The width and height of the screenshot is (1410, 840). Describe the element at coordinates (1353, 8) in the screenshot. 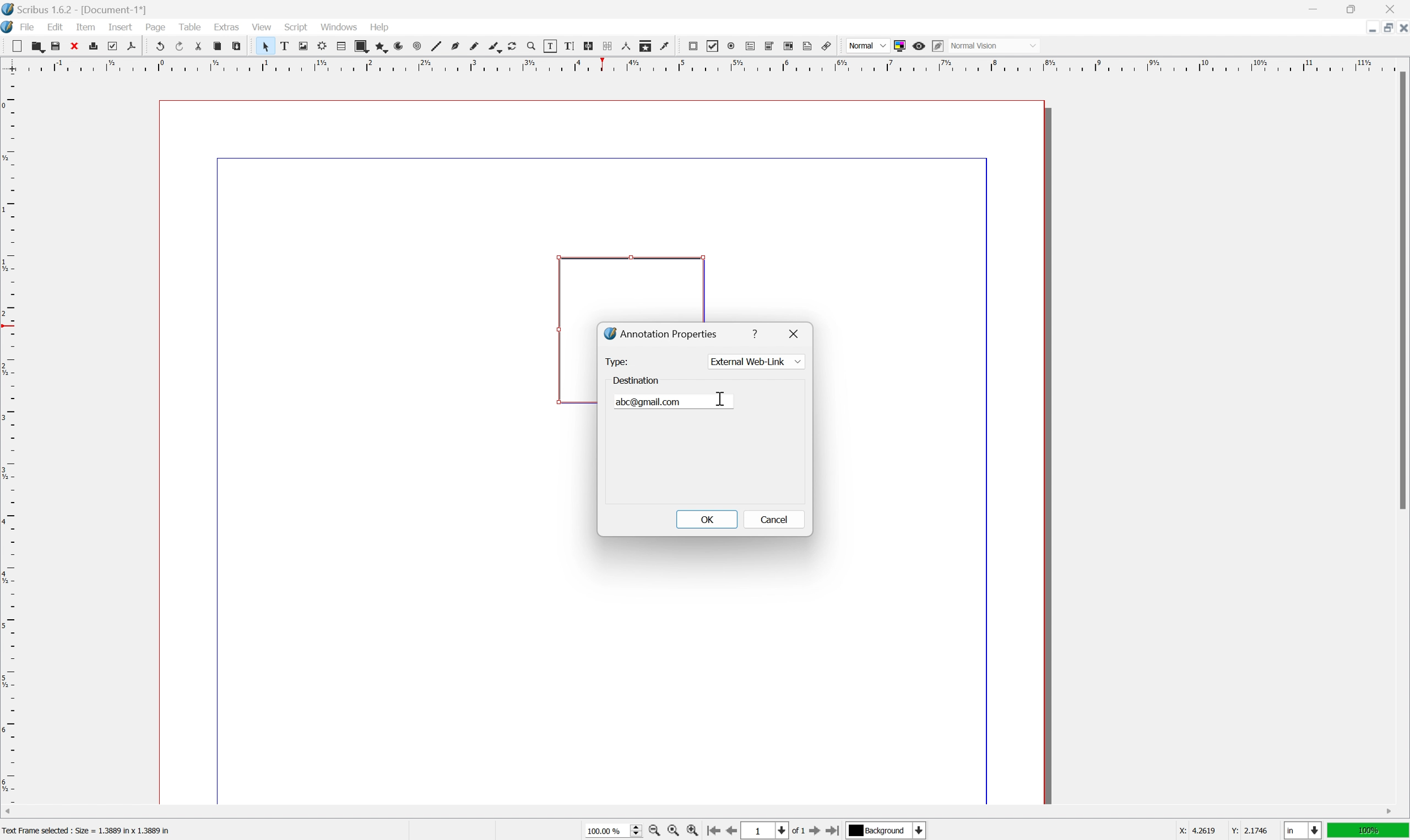

I see `restore down` at that location.